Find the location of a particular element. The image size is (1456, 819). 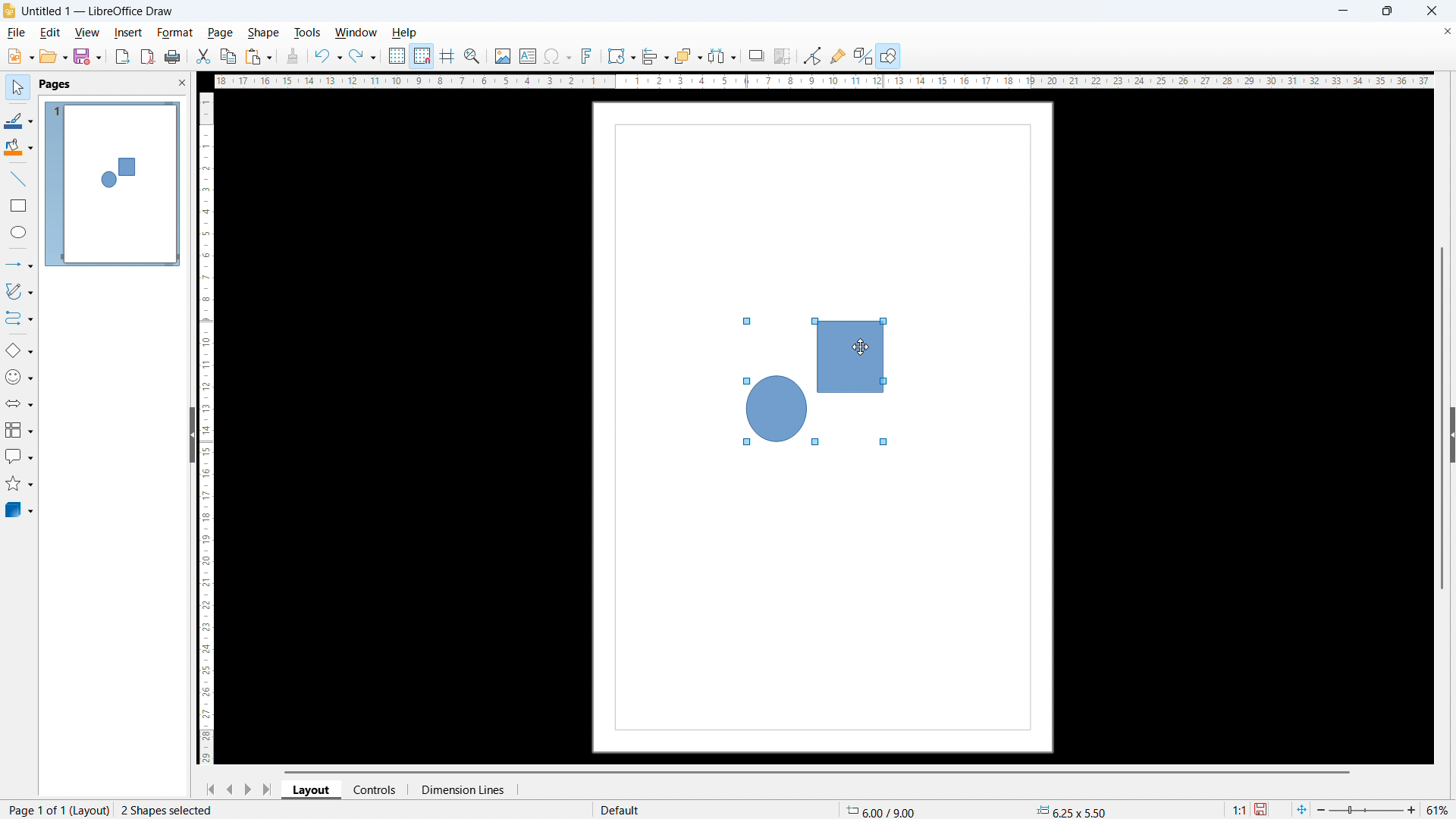

snap to grid is located at coordinates (422, 55).